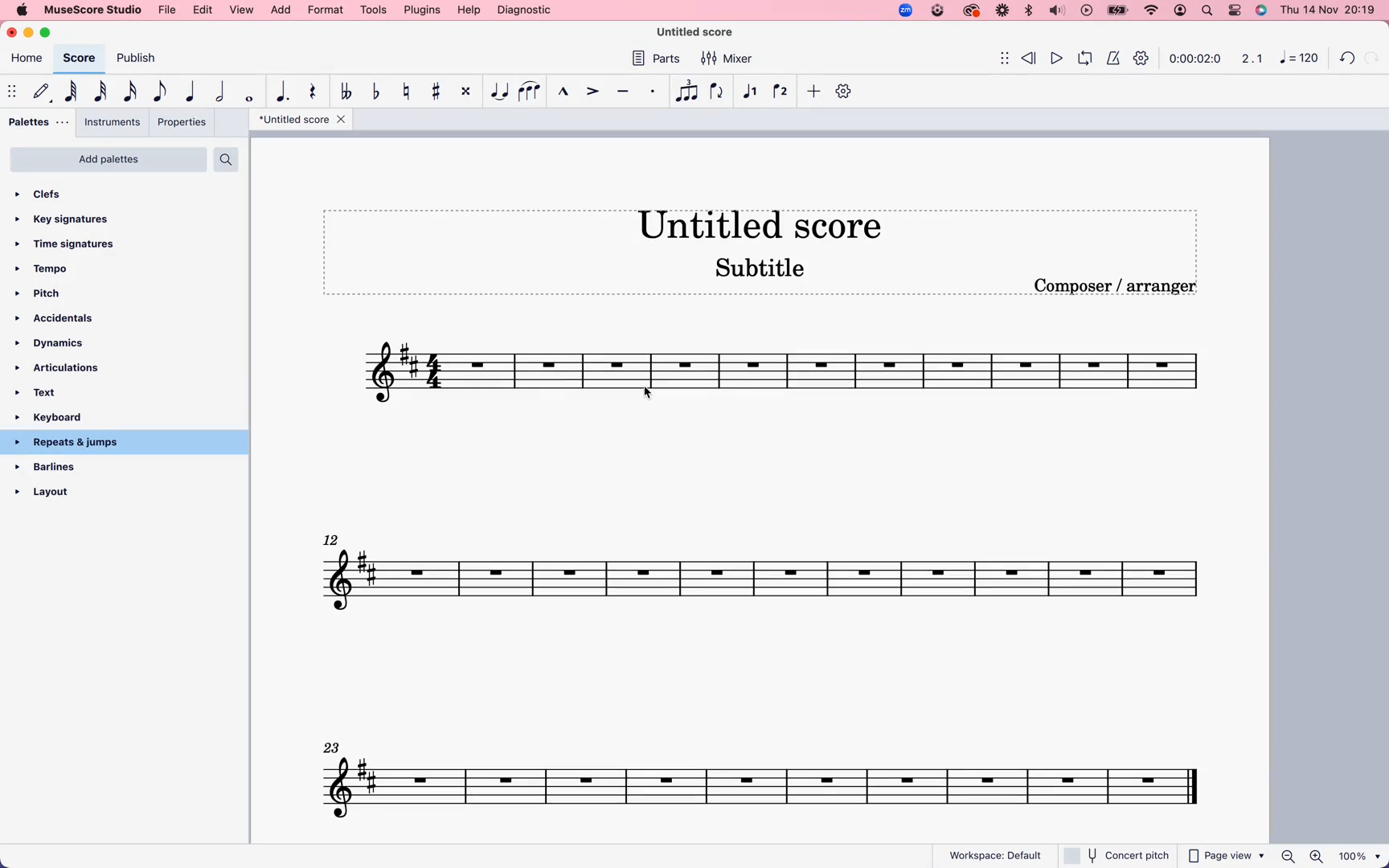 The height and width of the screenshot is (868, 1389). I want to click on plugins, so click(422, 10).